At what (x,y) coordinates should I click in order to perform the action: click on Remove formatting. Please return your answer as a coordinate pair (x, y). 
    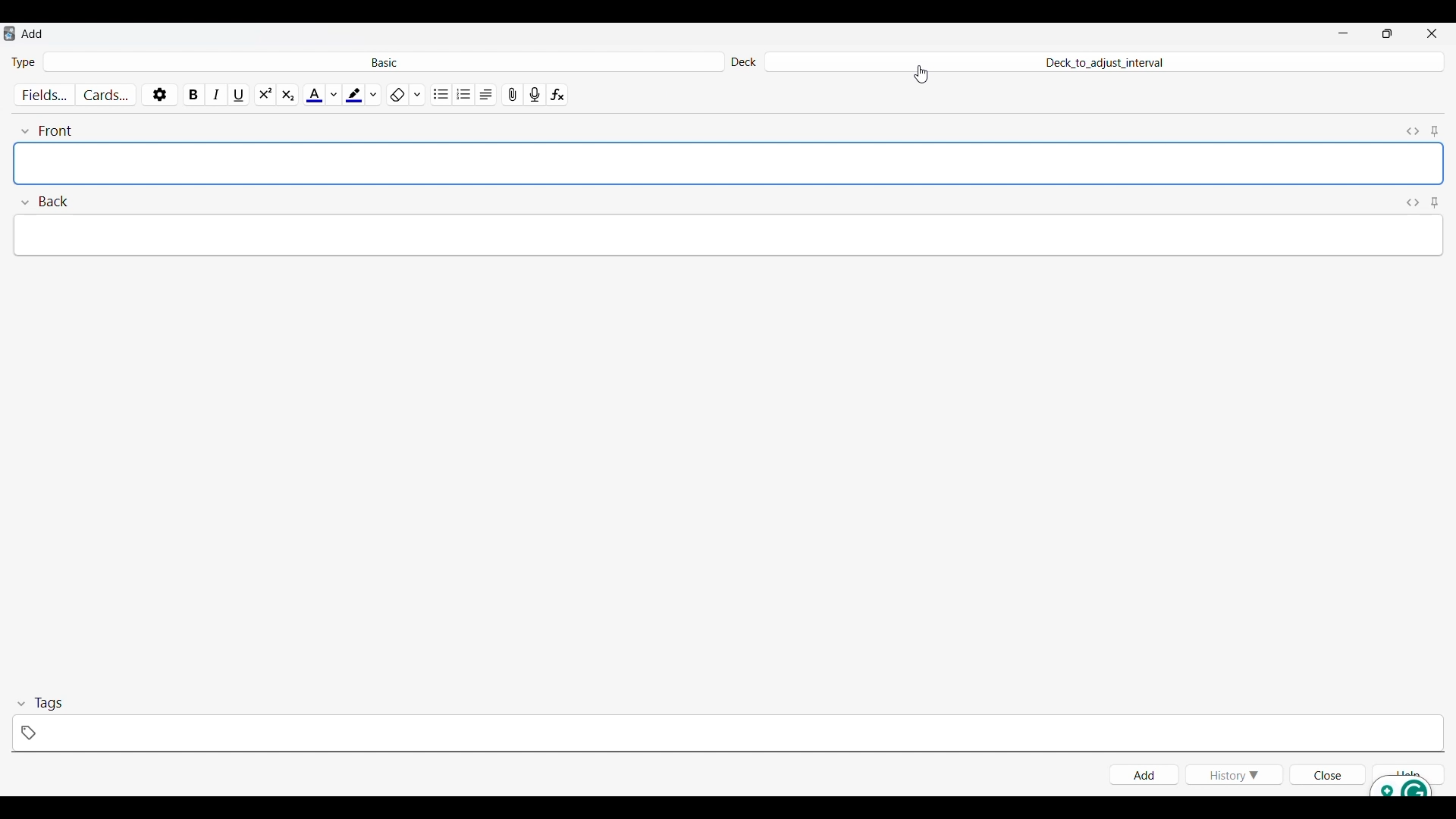
    Looking at the image, I should click on (397, 95).